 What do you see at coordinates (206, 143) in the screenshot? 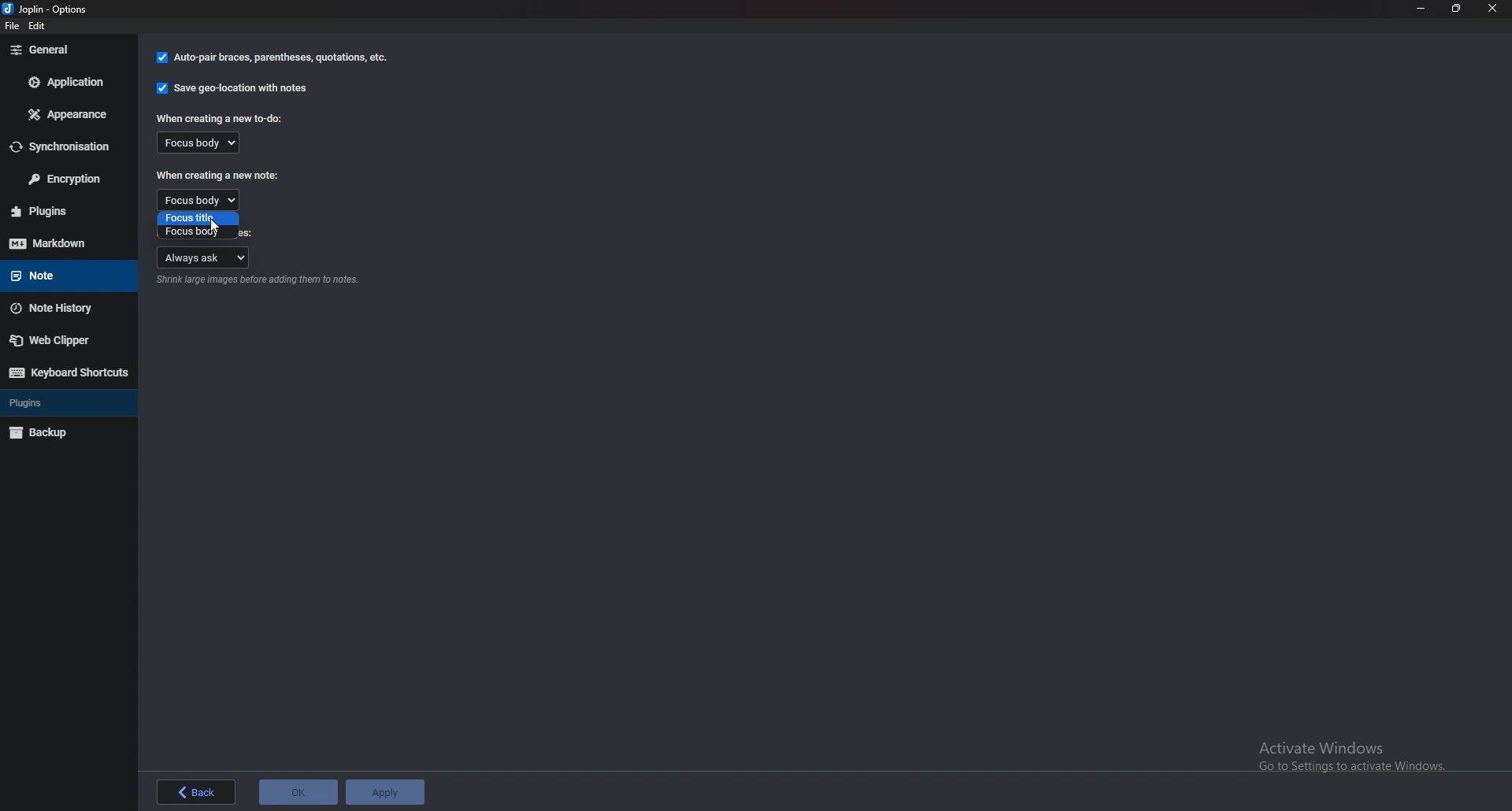
I see `Focus body` at bounding box center [206, 143].